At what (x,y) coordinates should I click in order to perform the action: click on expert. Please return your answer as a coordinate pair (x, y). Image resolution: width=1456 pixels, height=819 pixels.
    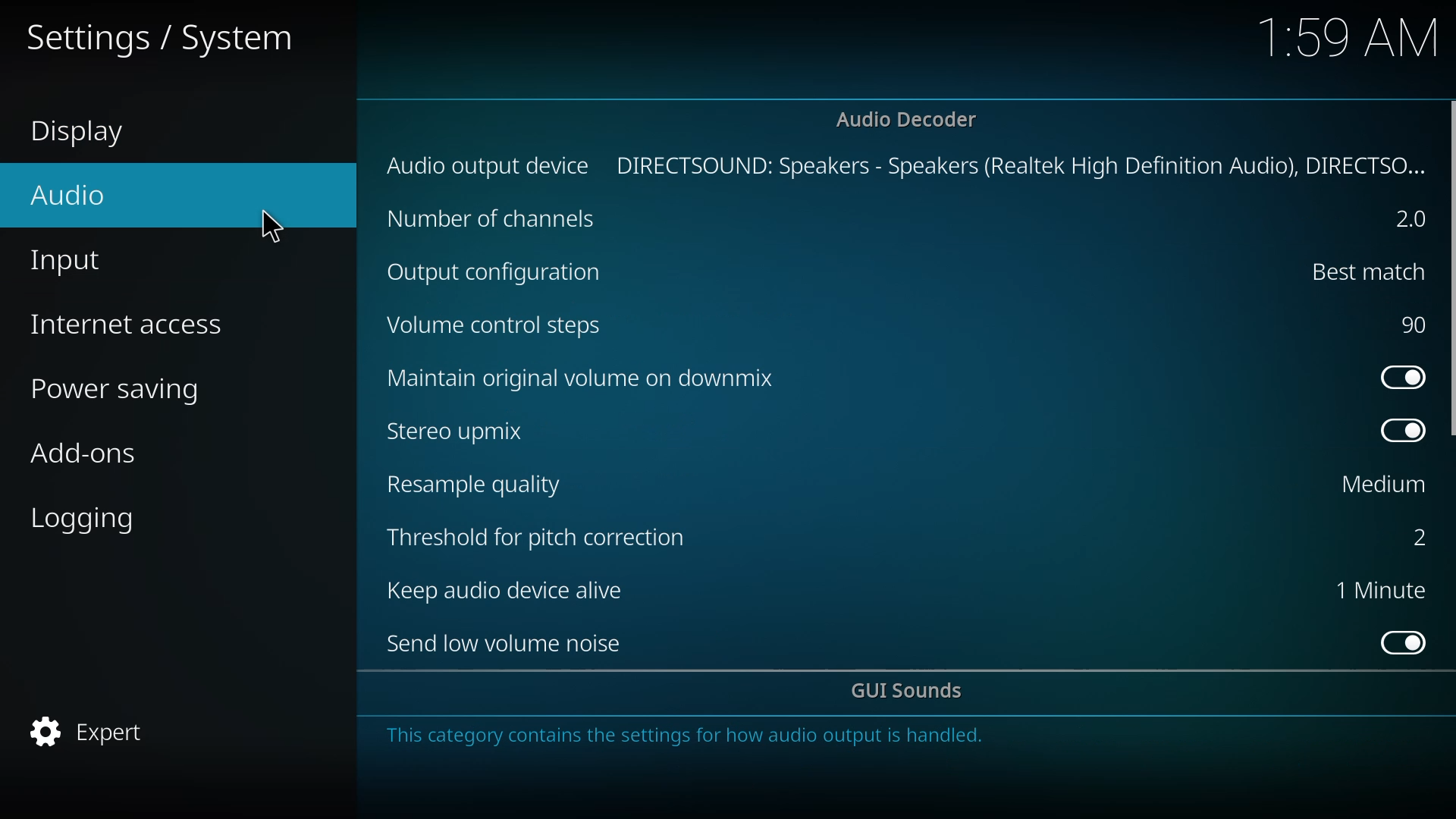
    Looking at the image, I should click on (96, 734).